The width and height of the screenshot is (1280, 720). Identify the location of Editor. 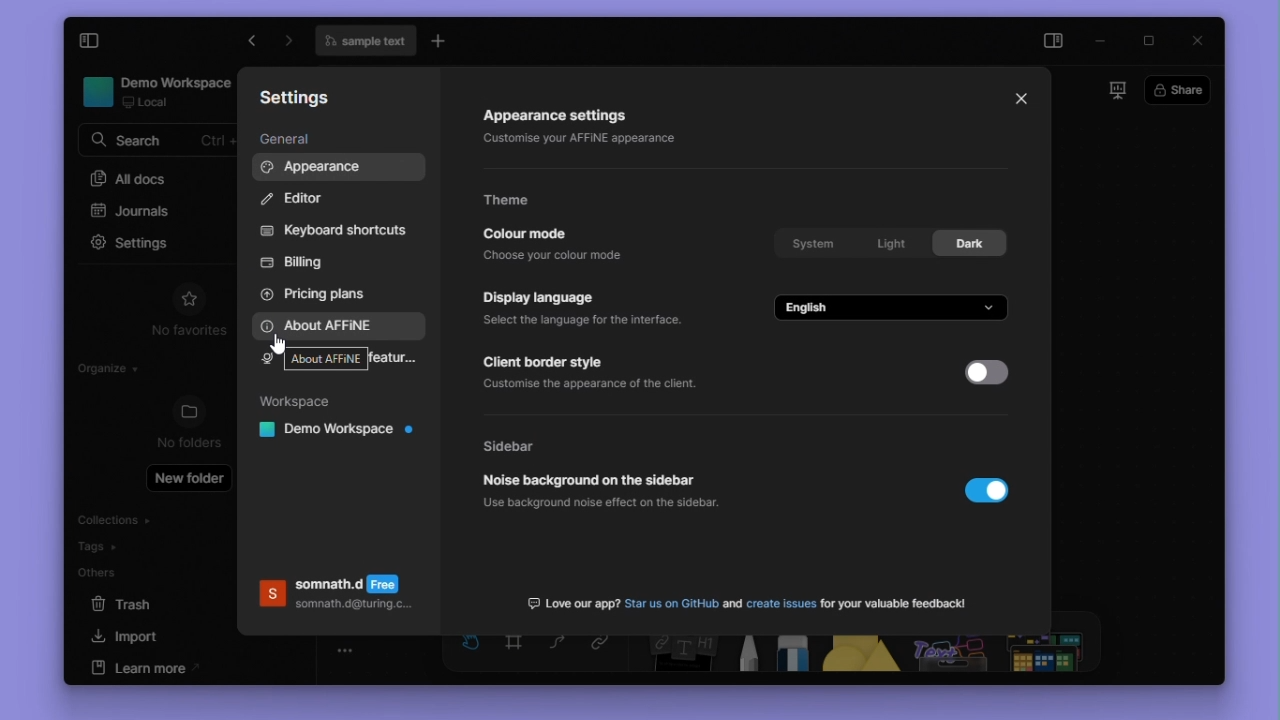
(299, 197).